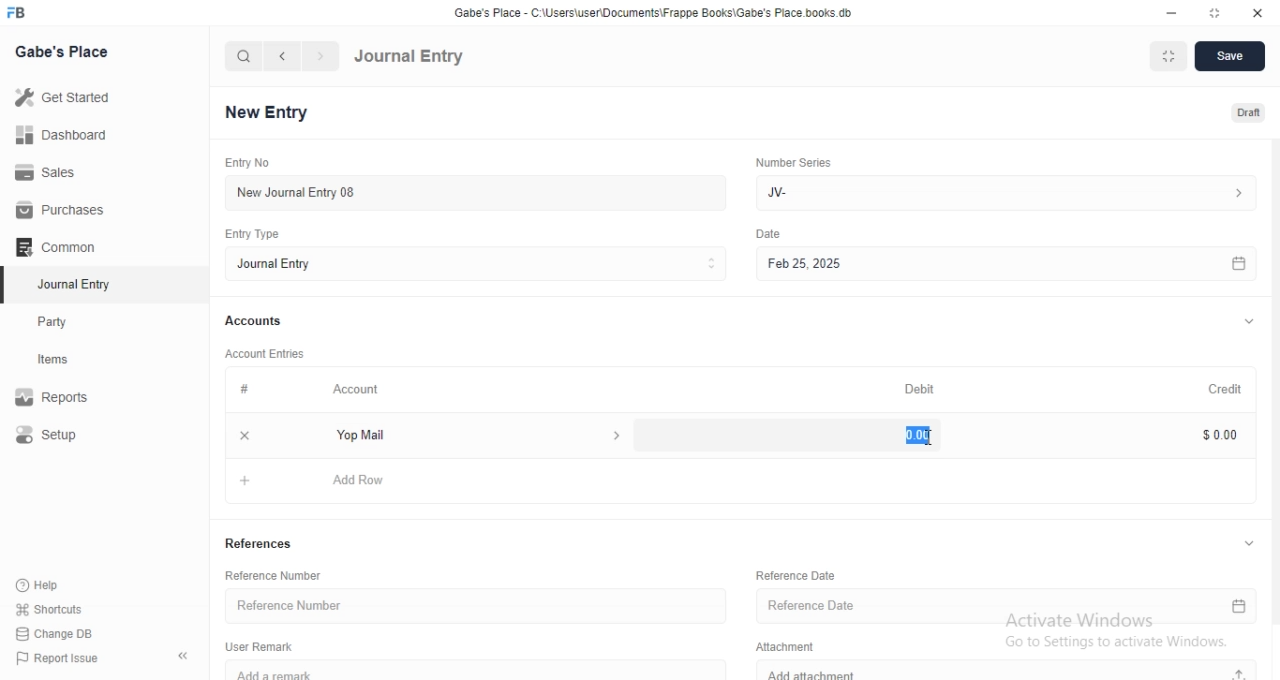  Describe the element at coordinates (259, 646) in the screenshot. I see `User Remark` at that location.